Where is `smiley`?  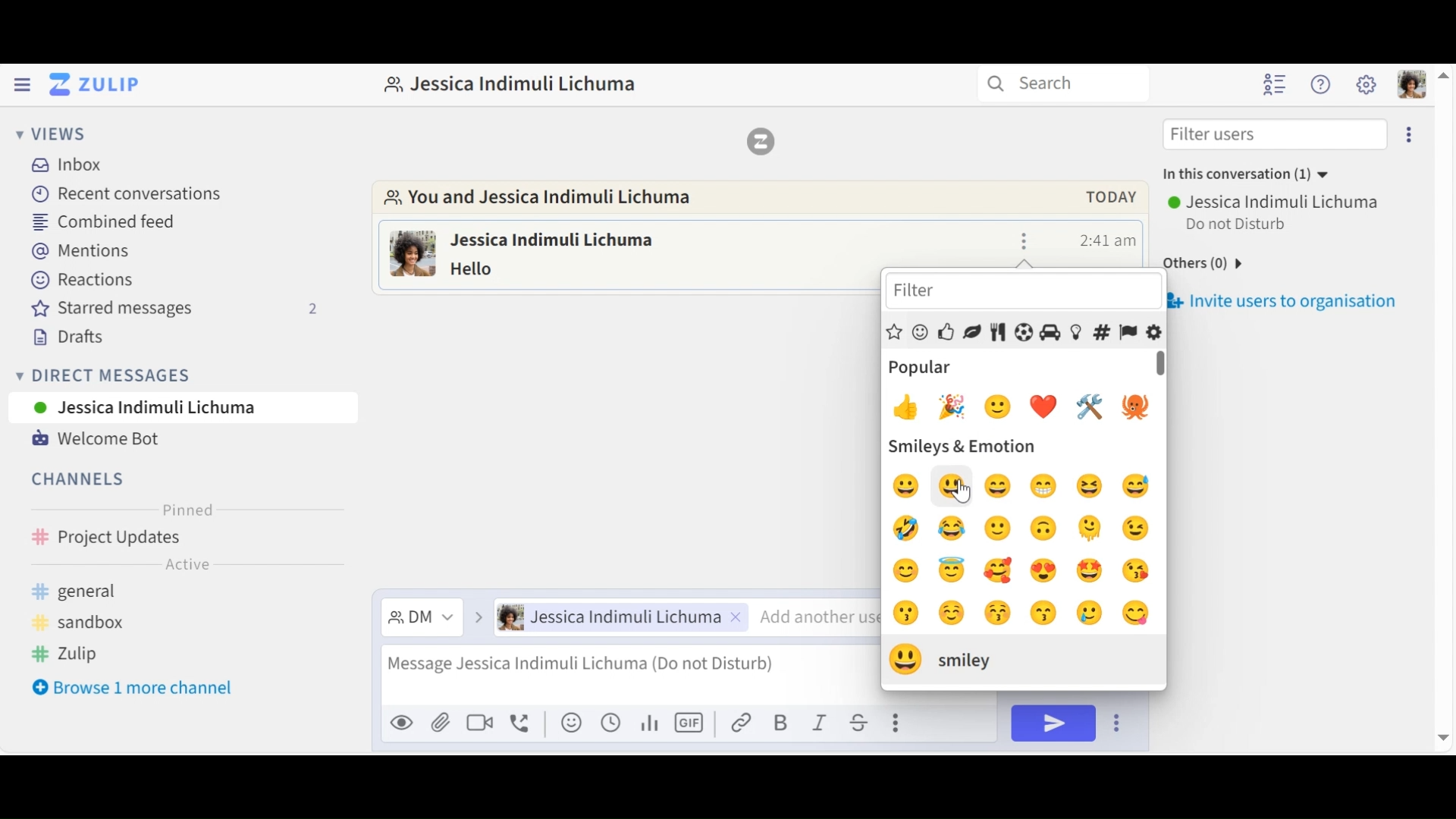
smiley is located at coordinates (1003, 406).